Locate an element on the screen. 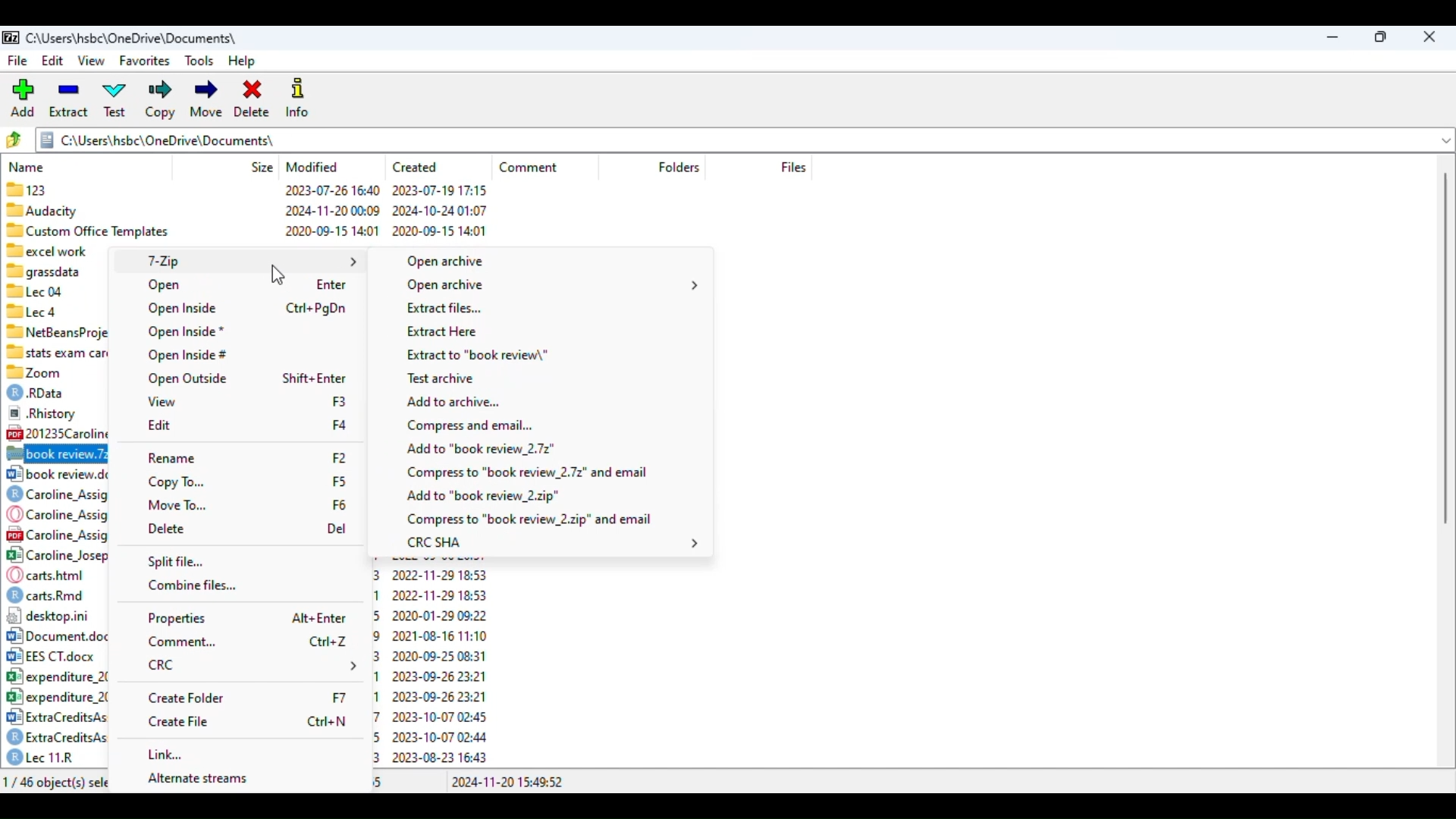 Image resolution: width=1456 pixels, height=819 pixels. delete is located at coordinates (167, 529).